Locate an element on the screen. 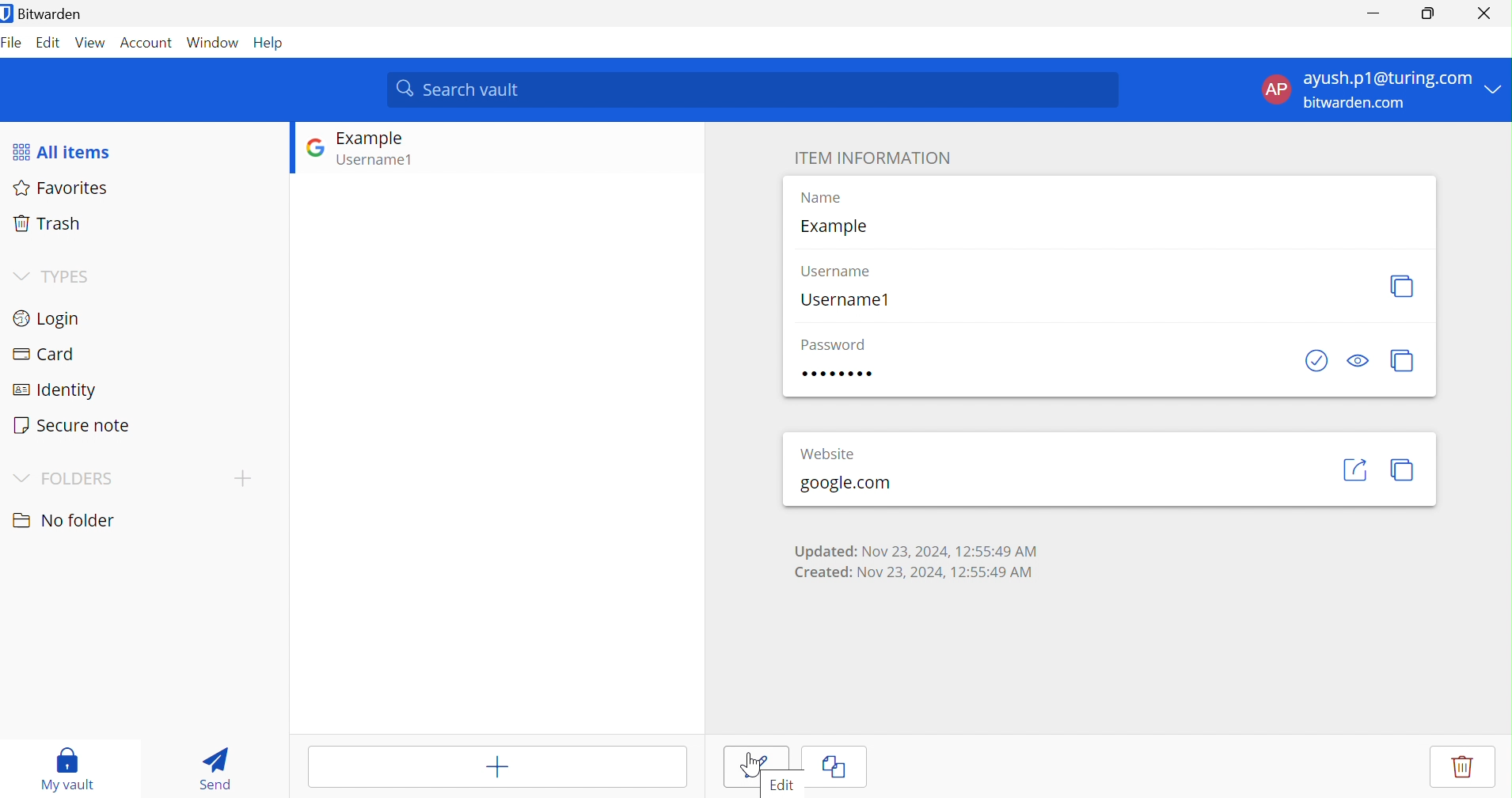  Minimize is located at coordinates (1370, 13).